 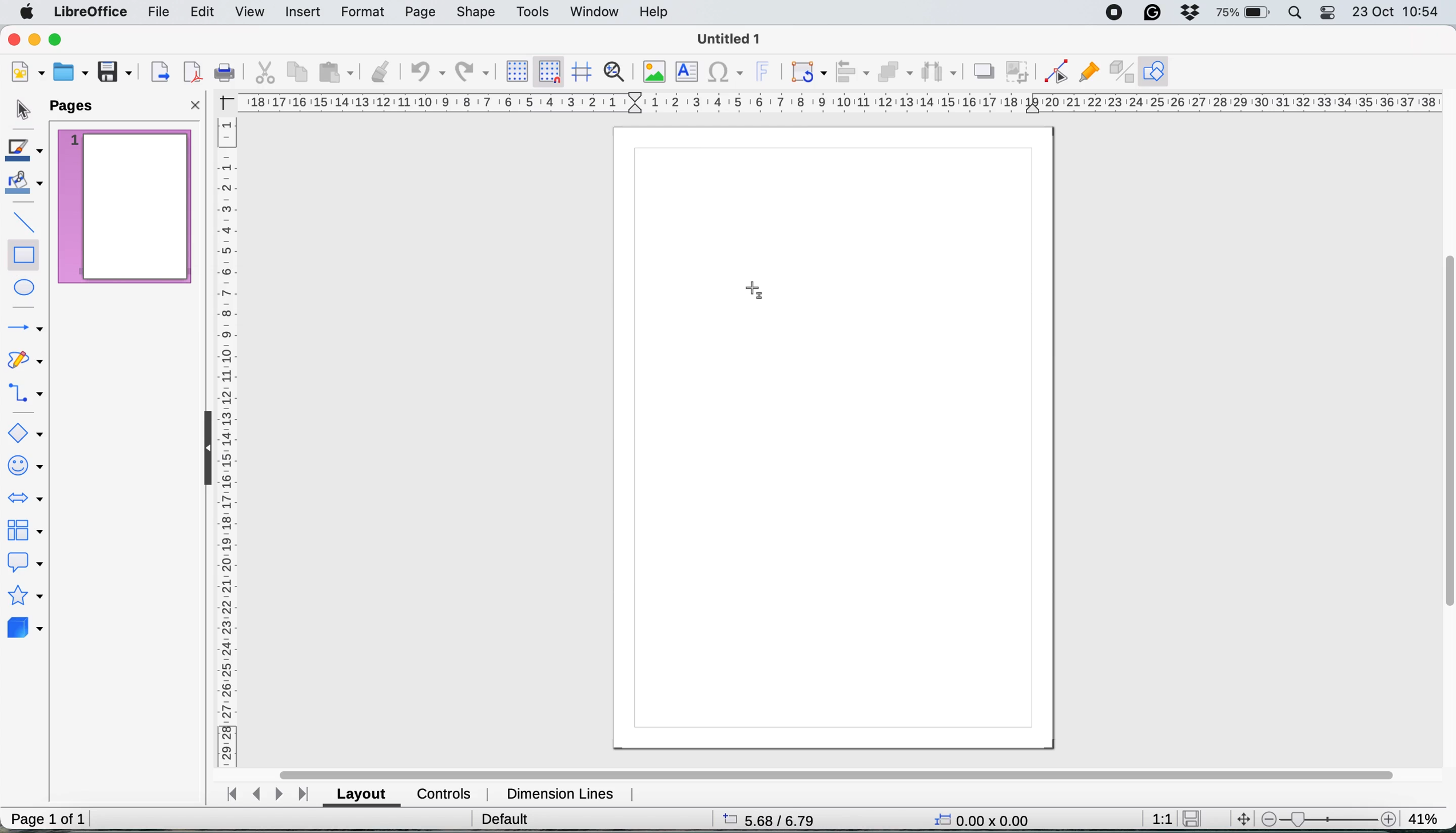 What do you see at coordinates (534, 11) in the screenshot?
I see `tools` at bounding box center [534, 11].